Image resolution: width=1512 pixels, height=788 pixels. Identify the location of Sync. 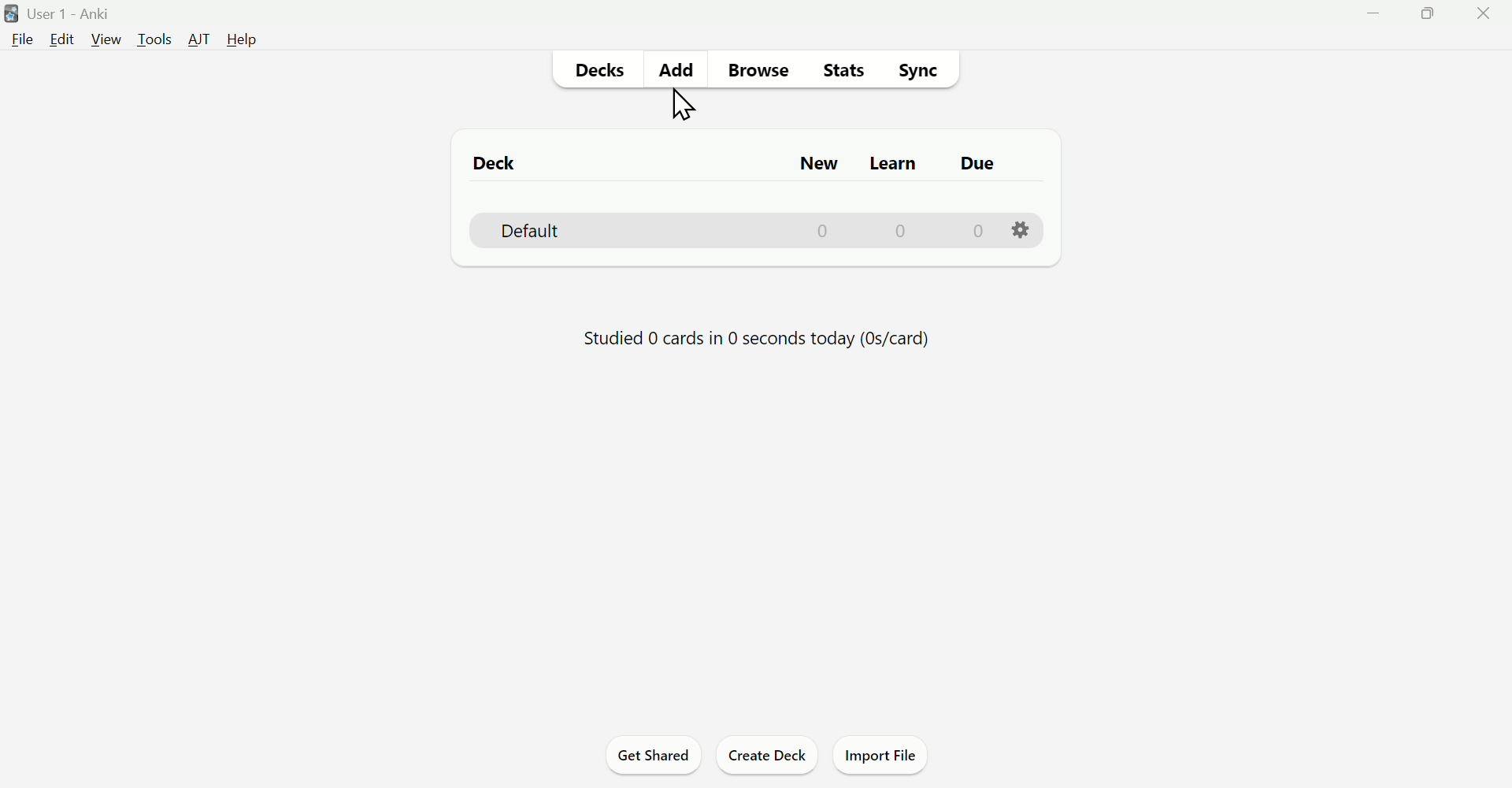
(920, 70).